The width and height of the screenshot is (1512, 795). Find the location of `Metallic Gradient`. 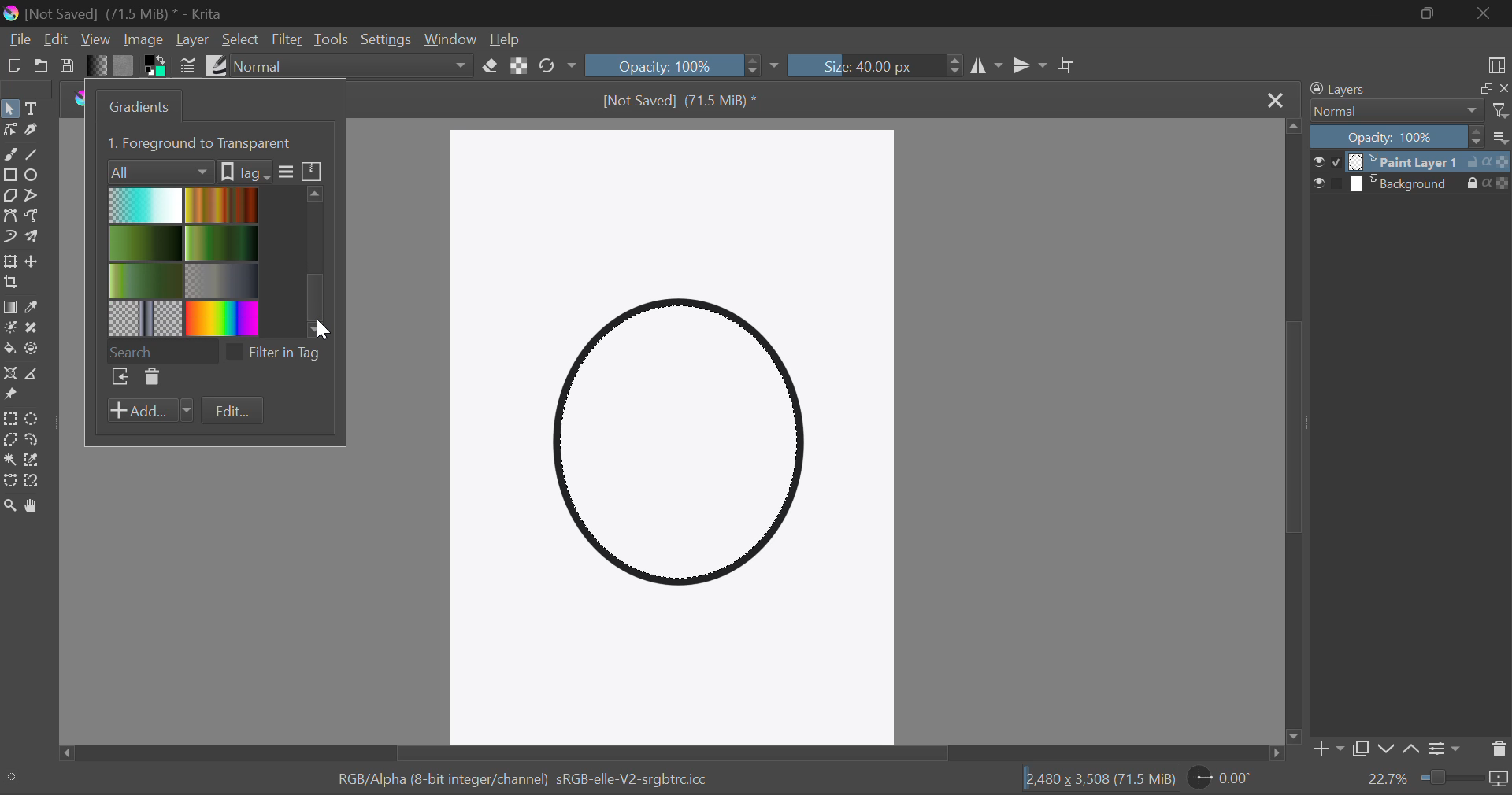

Metallic Gradient is located at coordinates (225, 280).